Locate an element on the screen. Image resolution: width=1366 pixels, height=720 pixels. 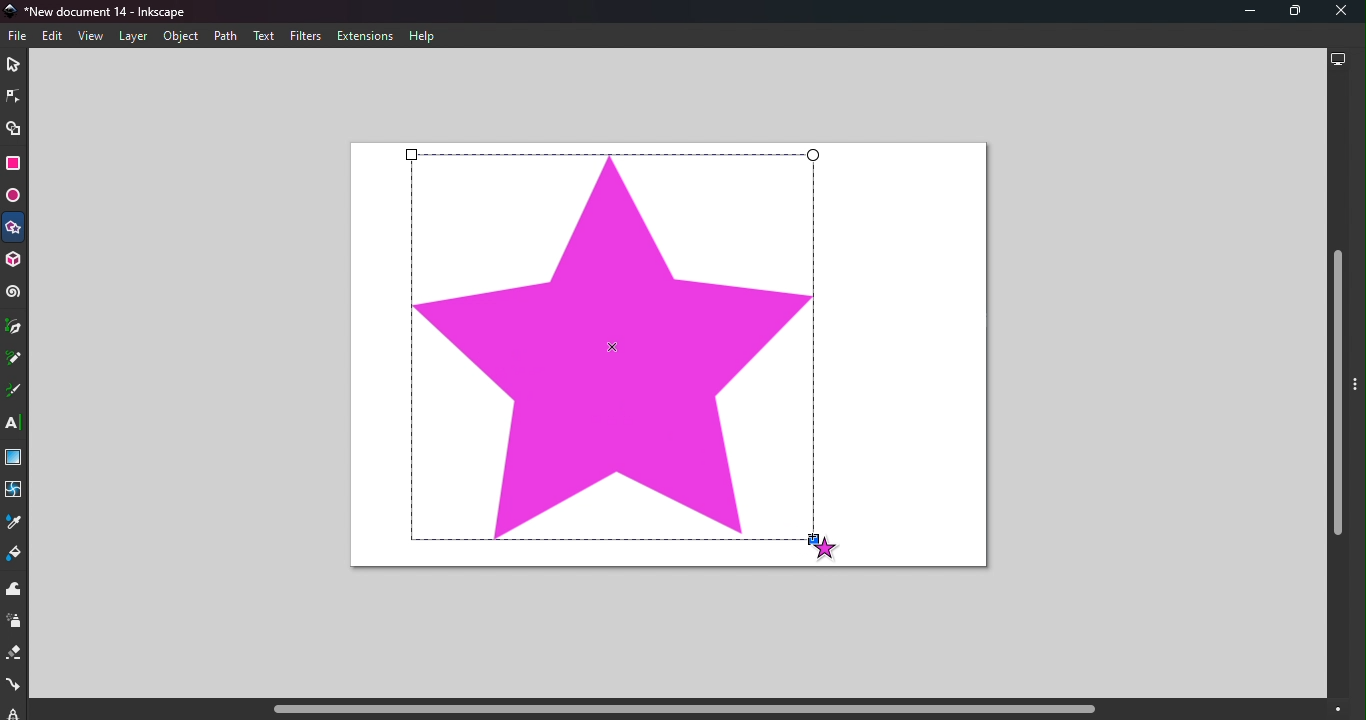
Vertical scroll bar is located at coordinates (1338, 388).